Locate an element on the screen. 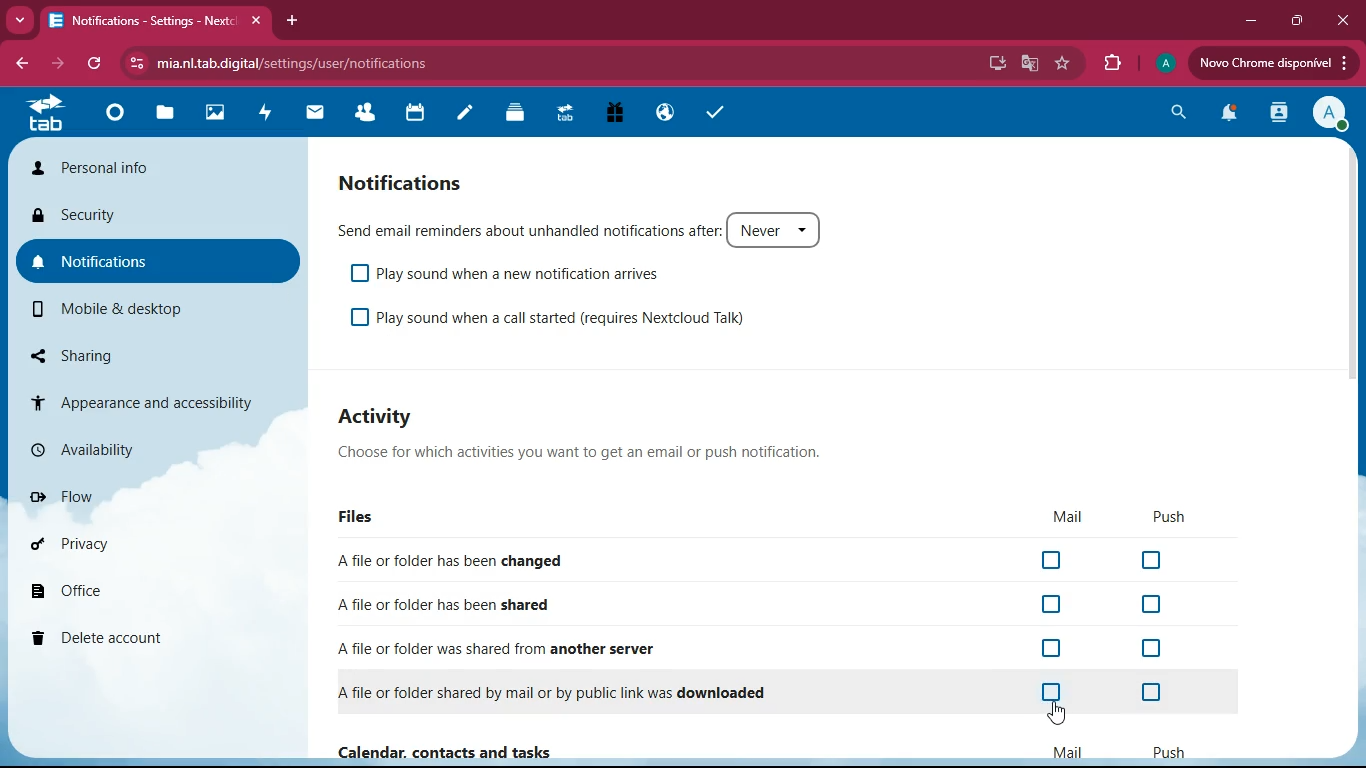 The height and width of the screenshot is (768, 1366). files is located at coordinates (164, 115).